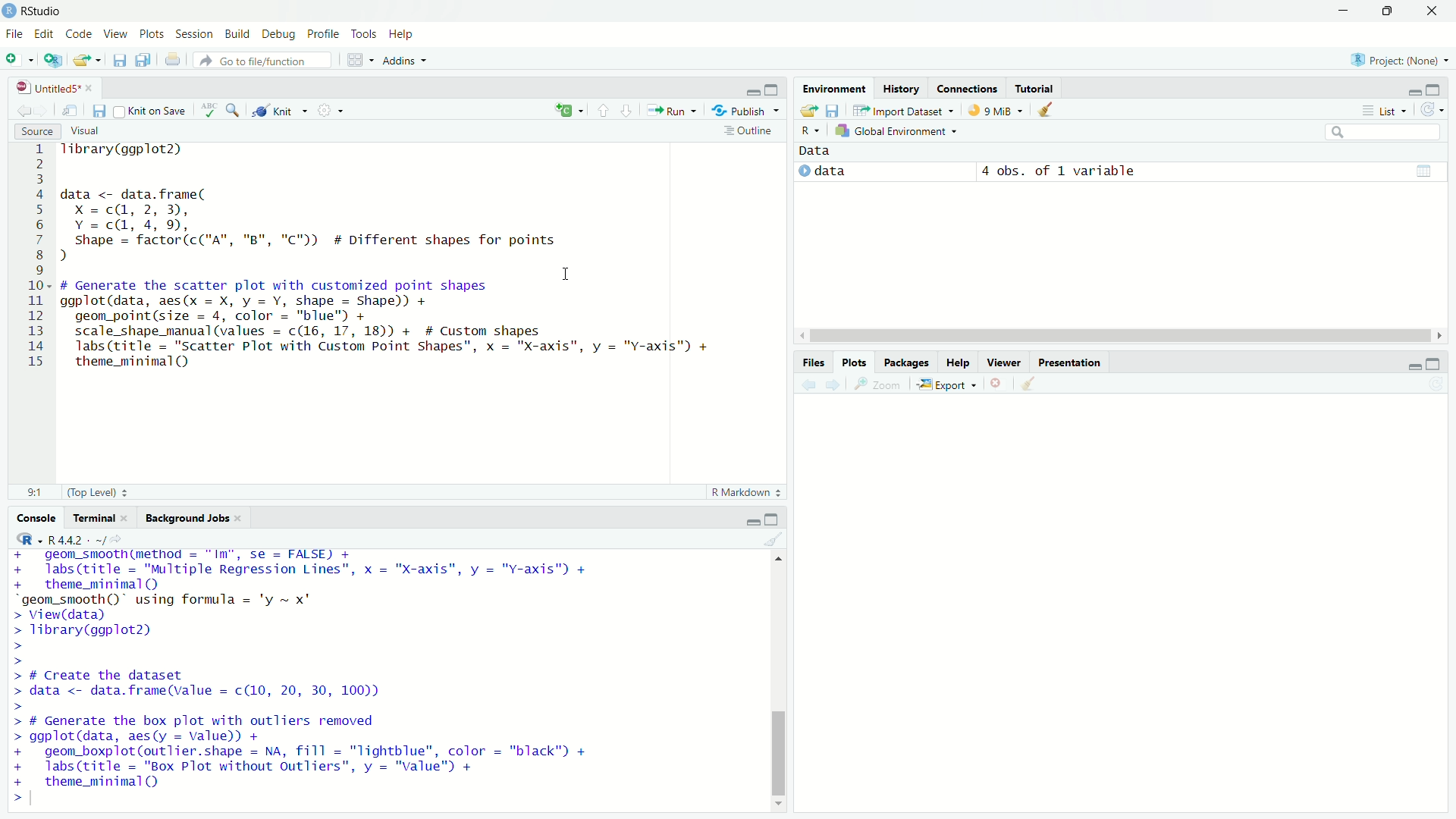 The image size is (1456, 819). Describe the element at coordinates (322, 33) in the screenshot. I see `Profile` at that location.